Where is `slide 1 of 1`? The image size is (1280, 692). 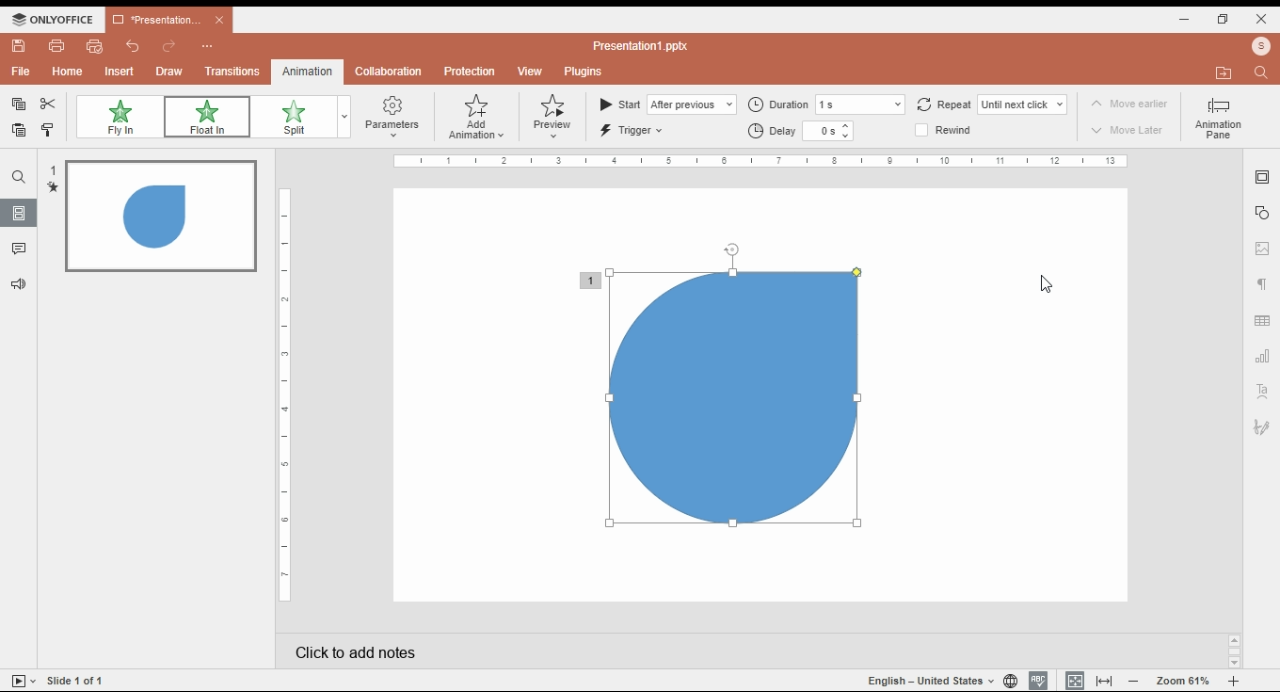
slide 1 of 1 is located at coordinates (80, 680).